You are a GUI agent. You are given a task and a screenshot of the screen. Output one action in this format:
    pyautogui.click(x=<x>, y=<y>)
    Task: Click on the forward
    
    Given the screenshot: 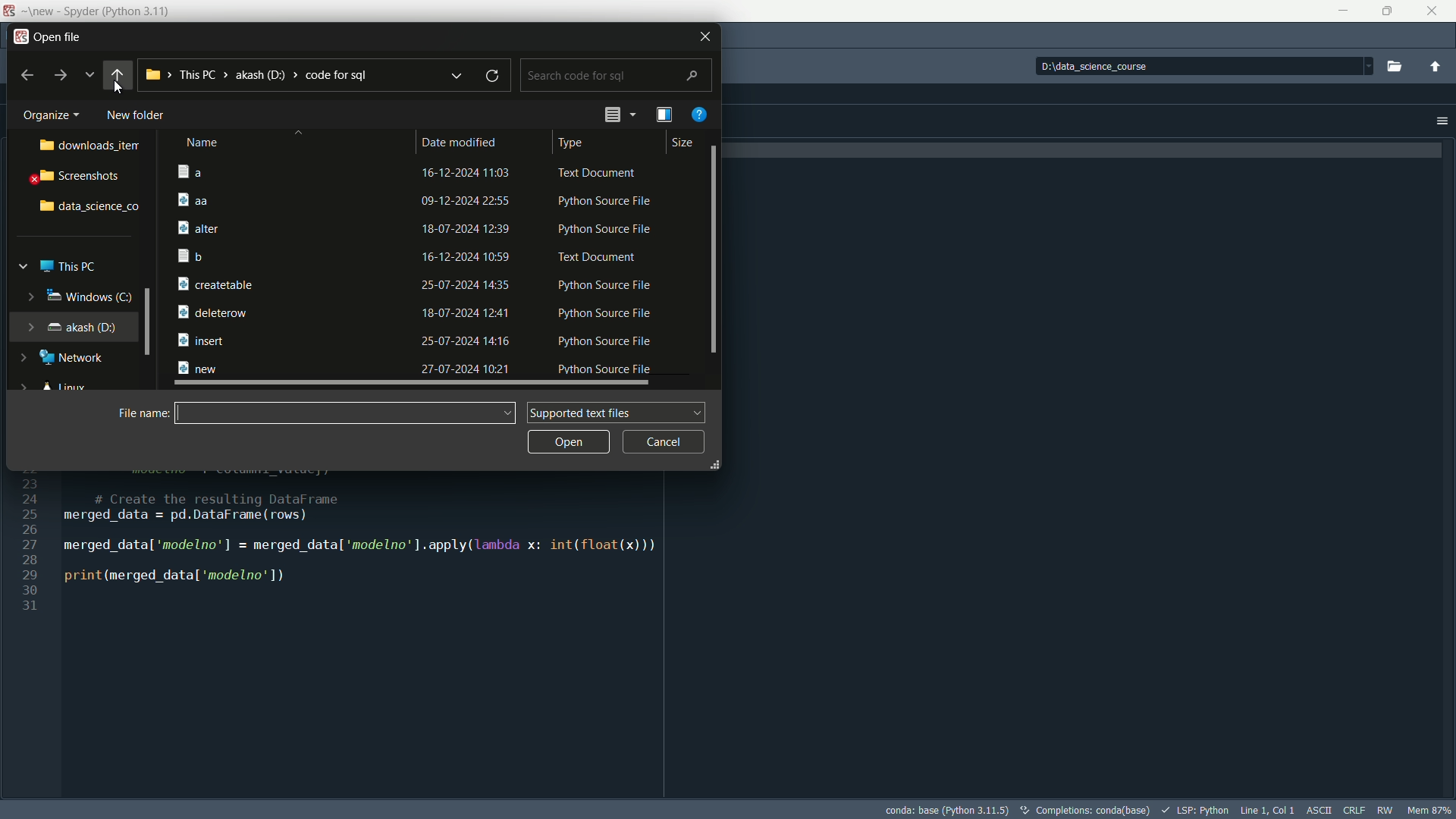 What is the action you would take?
    pyautogui.click(x=62, y=75)
    